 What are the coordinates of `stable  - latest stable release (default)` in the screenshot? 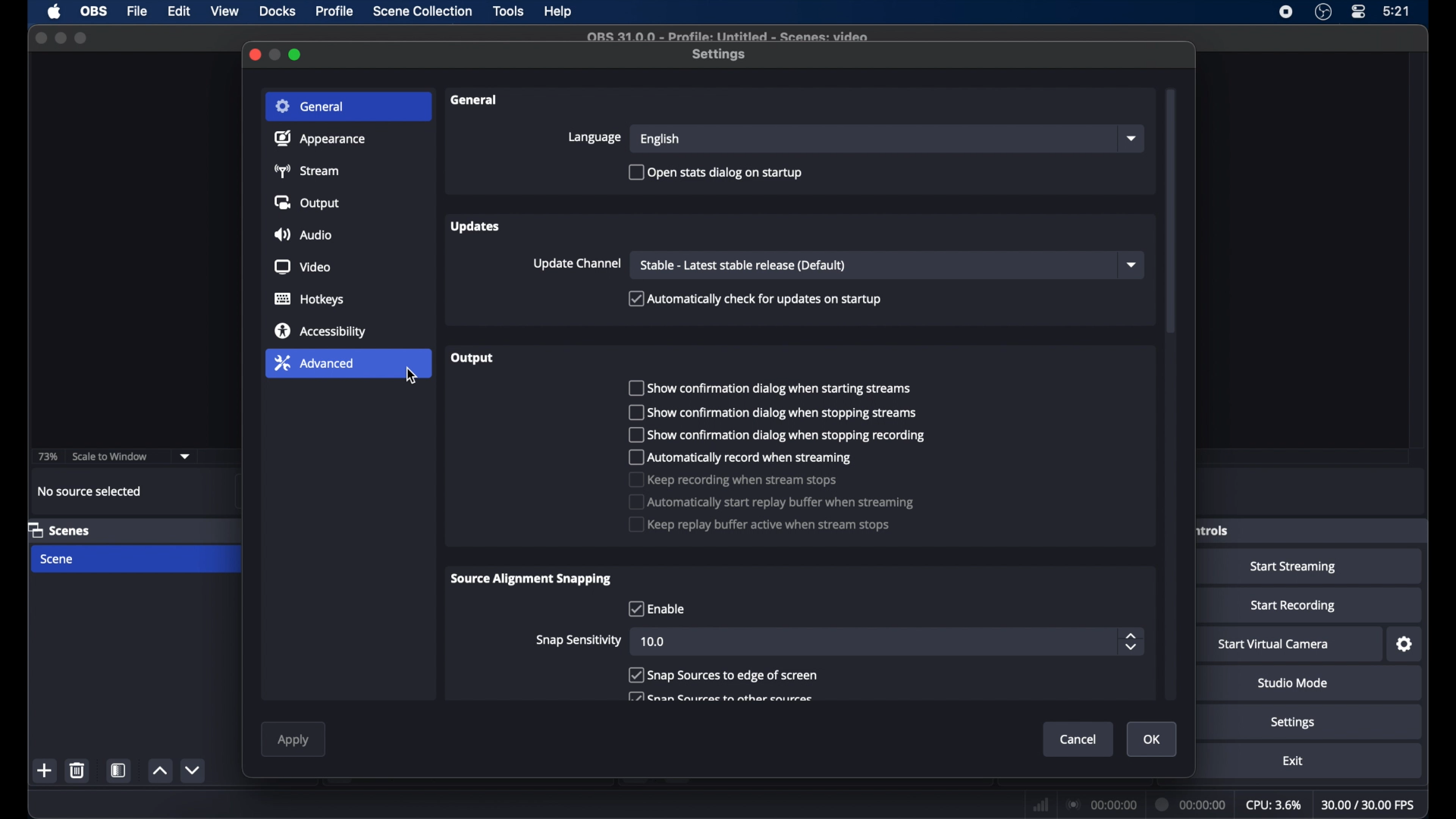 It's located at (742, 266).